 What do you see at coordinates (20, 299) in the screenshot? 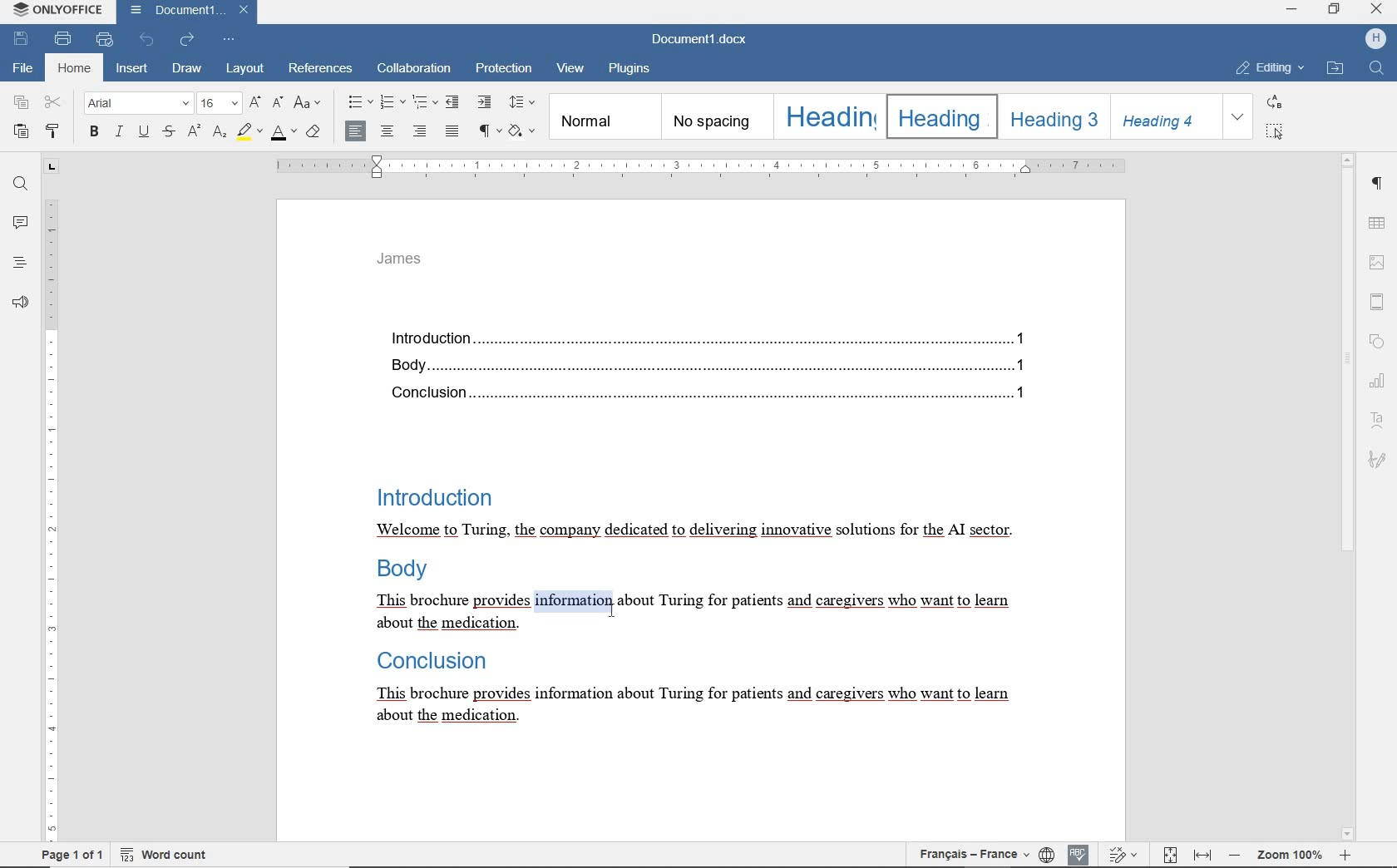
I see `FEEDBACK & SUPPORT` at bounding box center [20, 299].